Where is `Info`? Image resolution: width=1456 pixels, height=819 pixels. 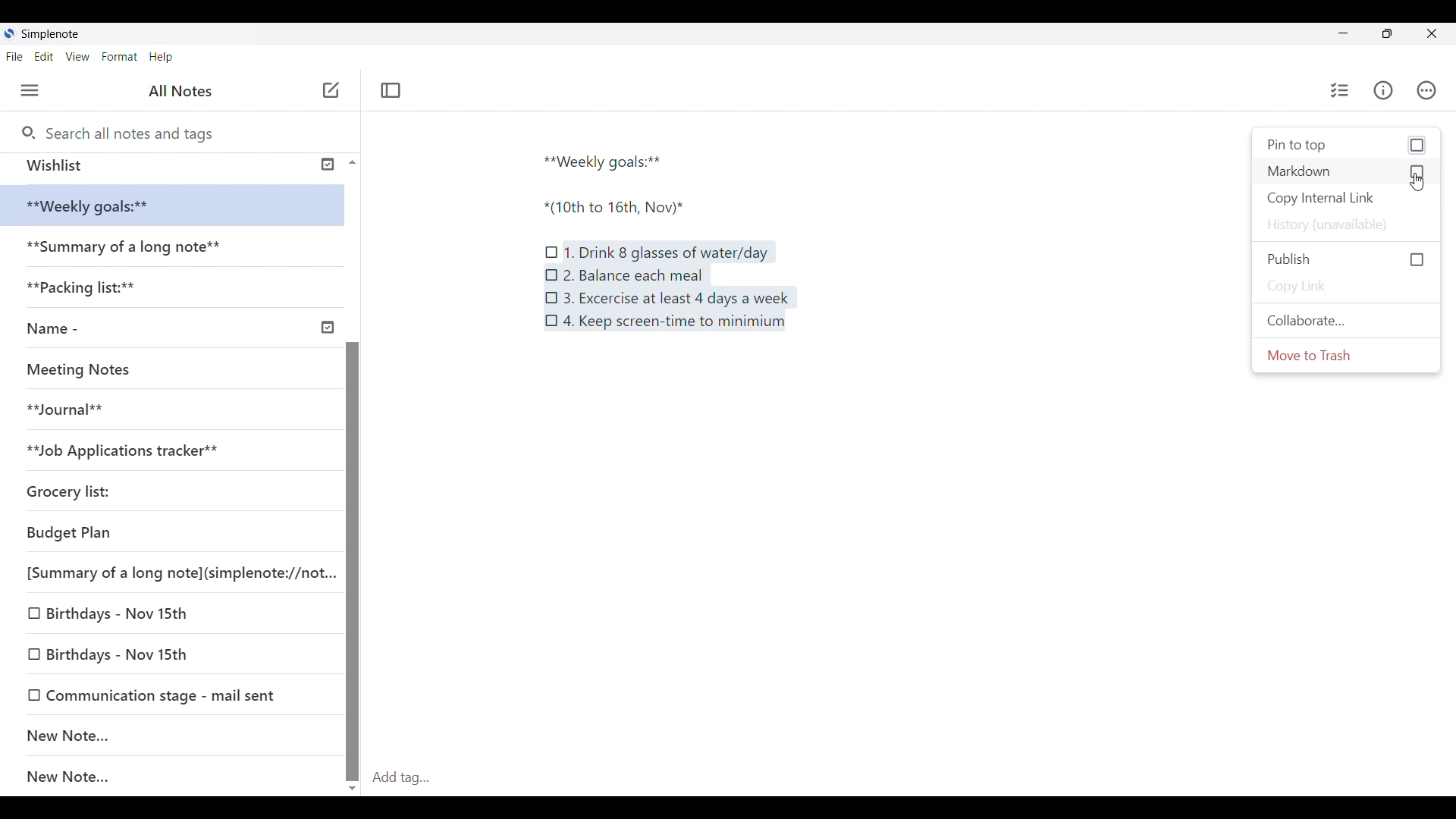
Info is located at coordinates (1385, 91).